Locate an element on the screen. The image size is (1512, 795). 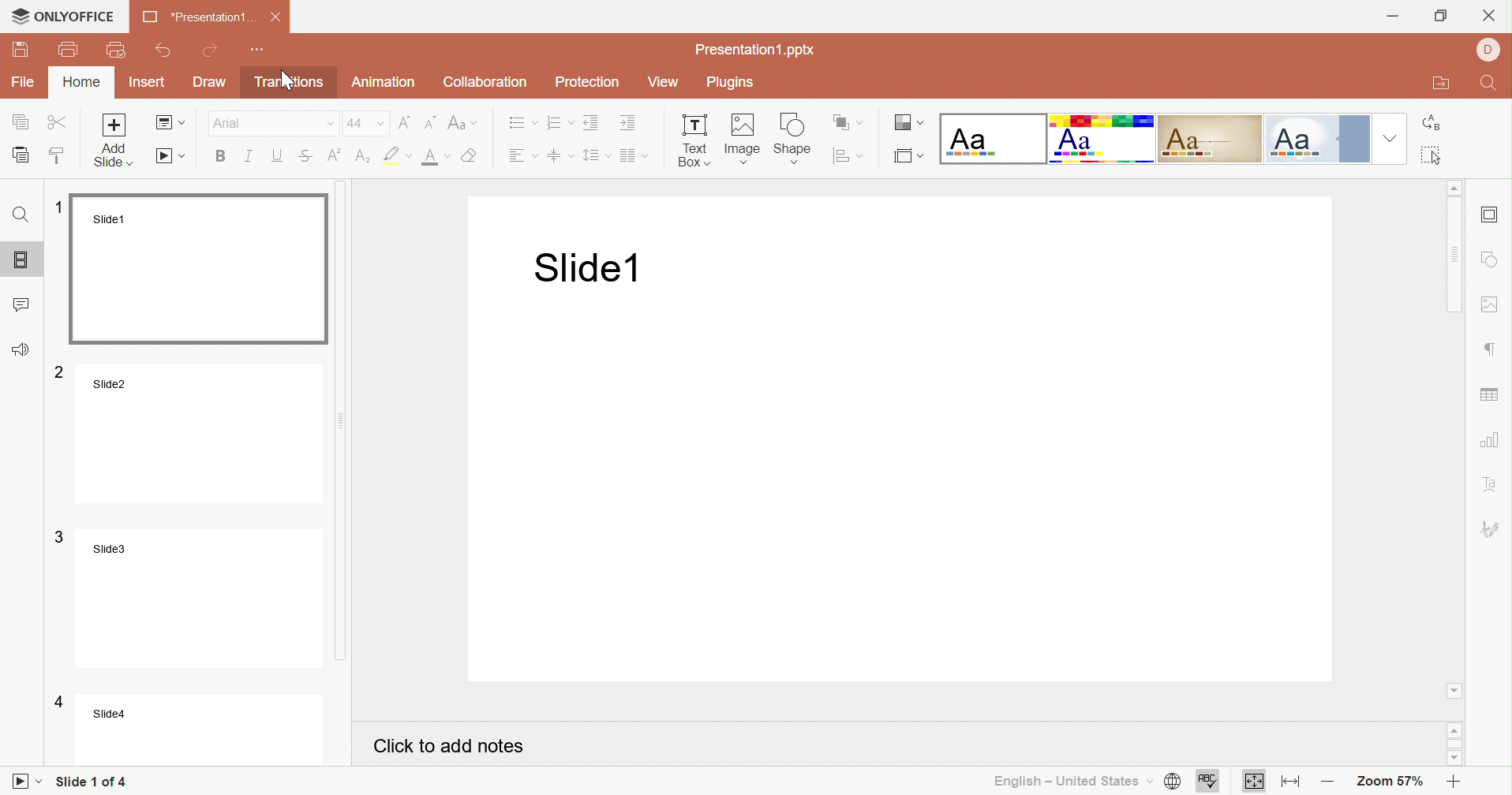
English - United States is located at coordinates (1071, 782).